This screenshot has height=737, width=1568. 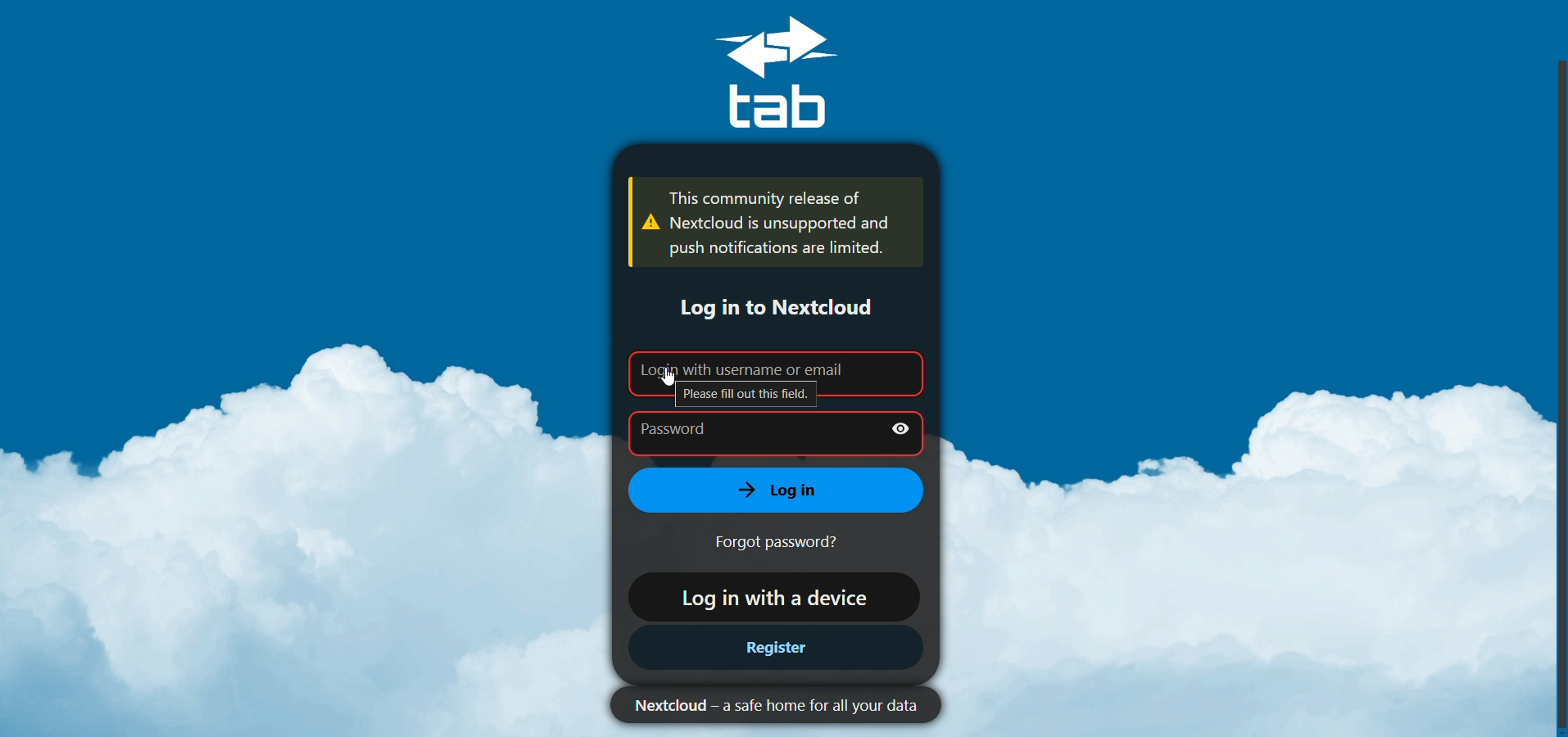 What do you see at coordinates (776, 543) in the screenshot?
I see `Forgot password` at bounding box center [776, 543].